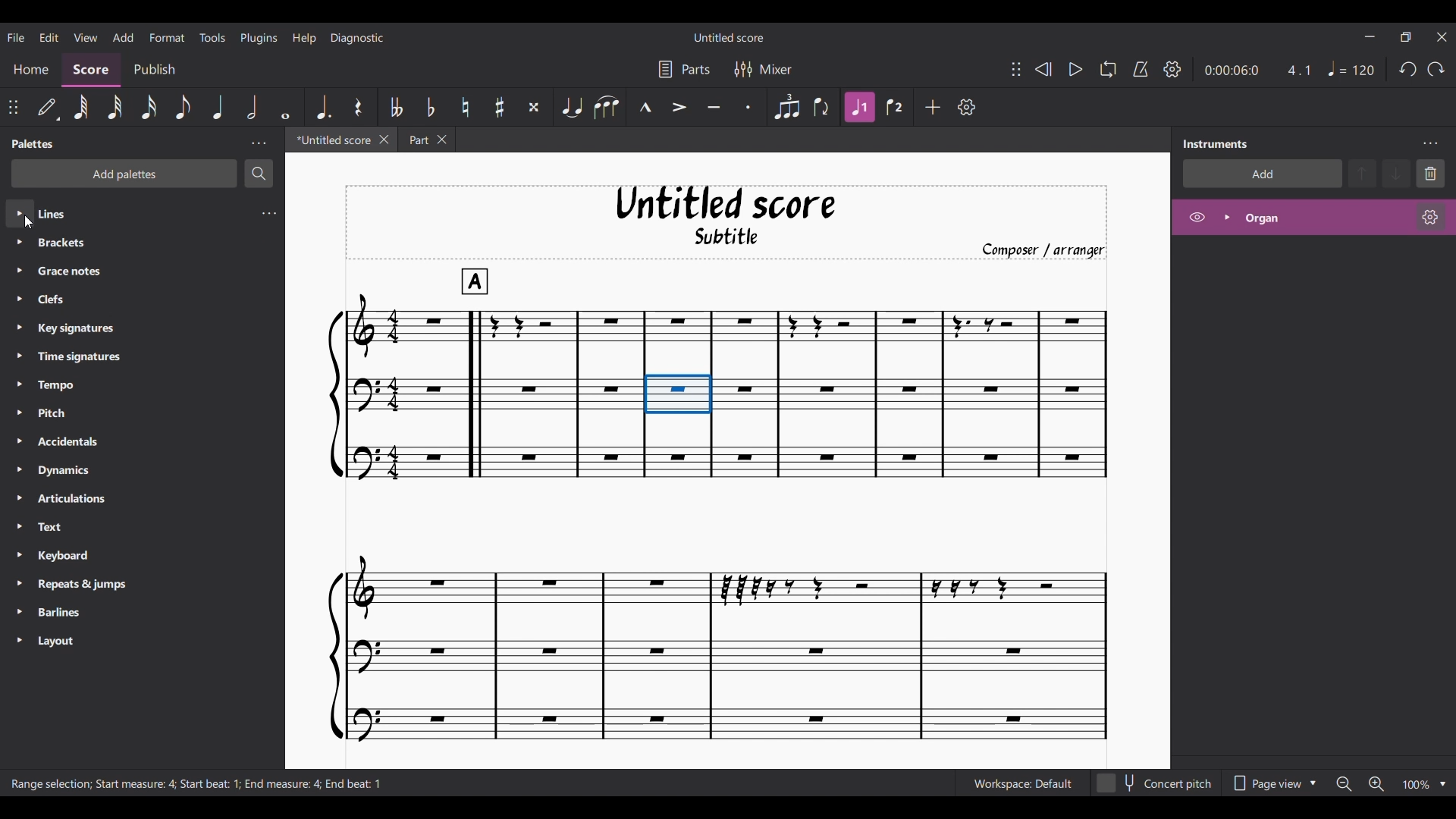 The width and height of the screenshot is (1456, 819). What do you see at coordinates (730, 37) in the screenshot?
I see `Score title` at bounding box center [730, 37].